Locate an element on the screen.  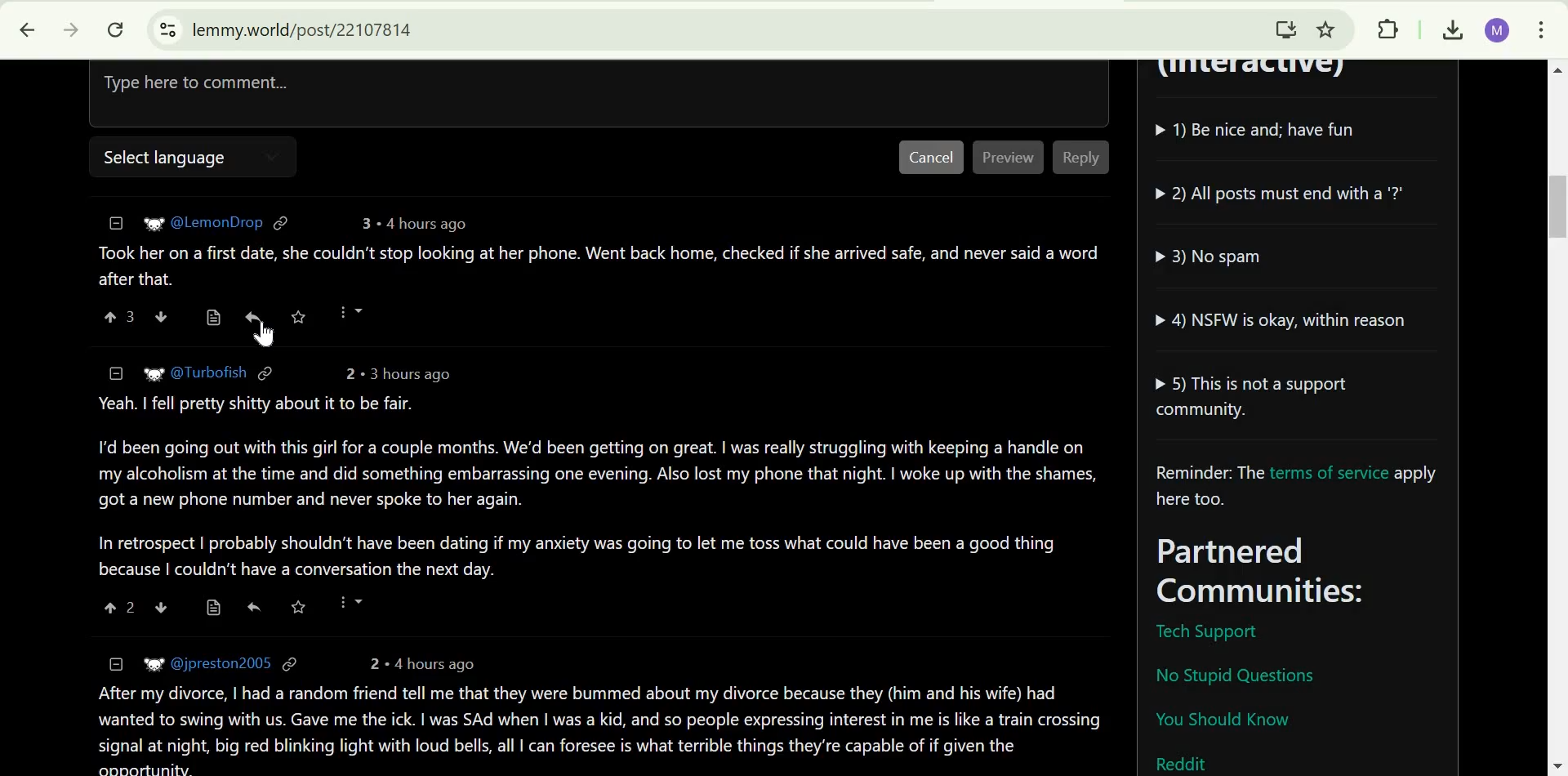
click to go forward, hold to see history is located at coordinates (67, 30).